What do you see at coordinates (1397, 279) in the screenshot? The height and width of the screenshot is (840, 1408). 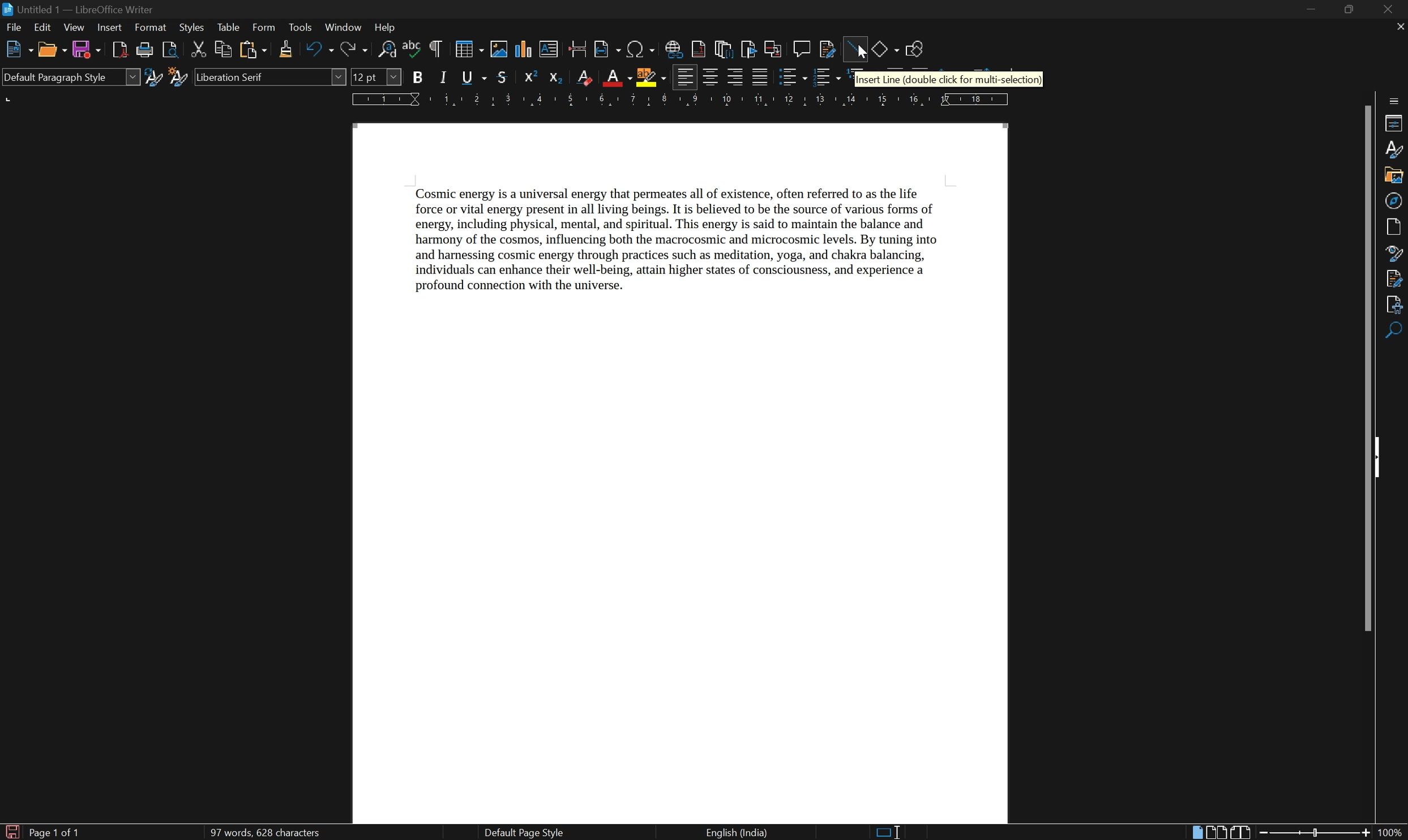 I see `manage changes` at bounding box center [1397, 279].